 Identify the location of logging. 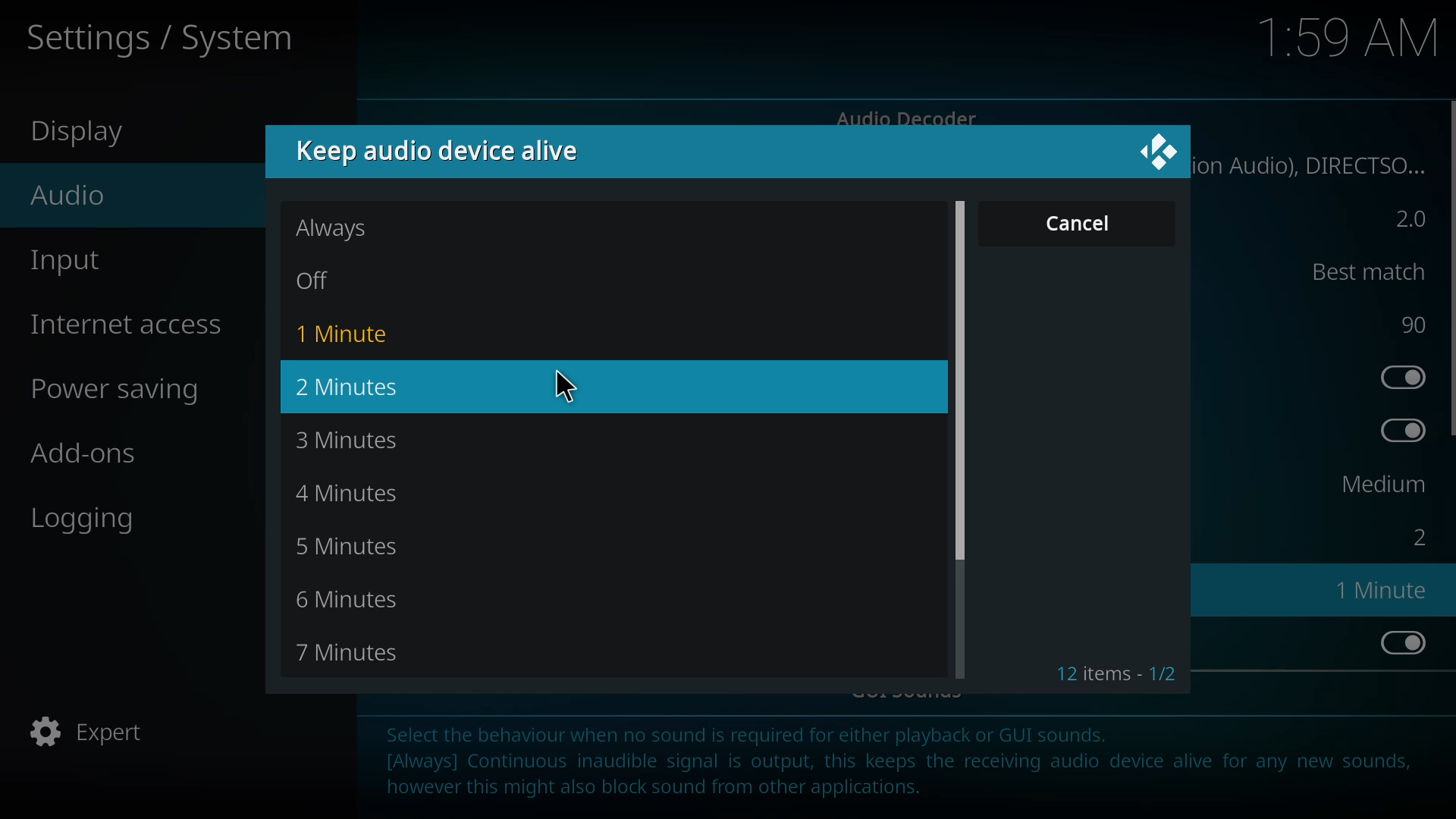
(88, 518).